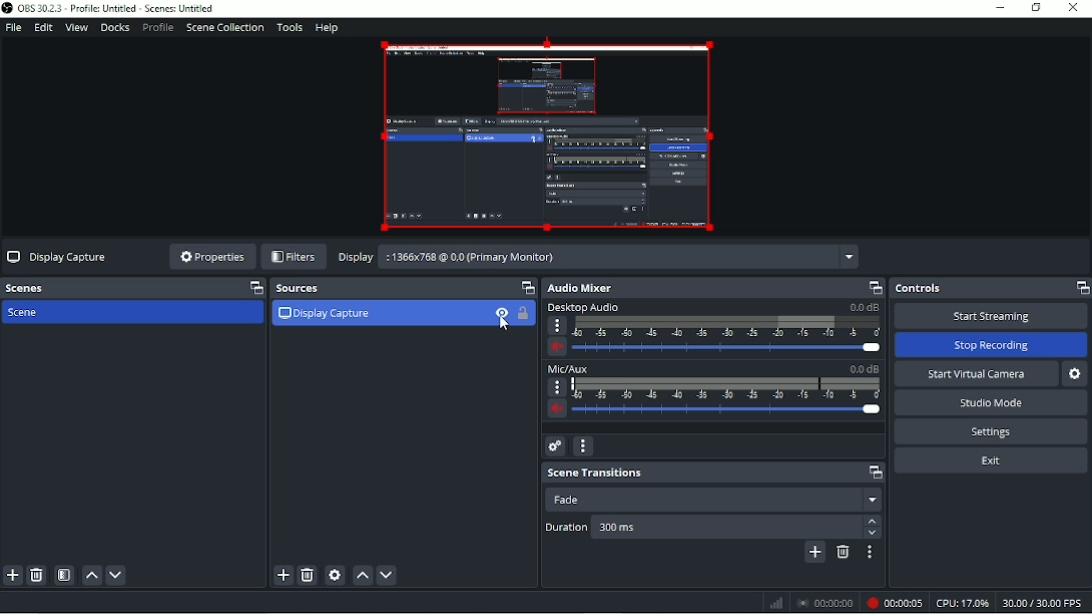  I want to click on Studio mode, so click(992, 402).